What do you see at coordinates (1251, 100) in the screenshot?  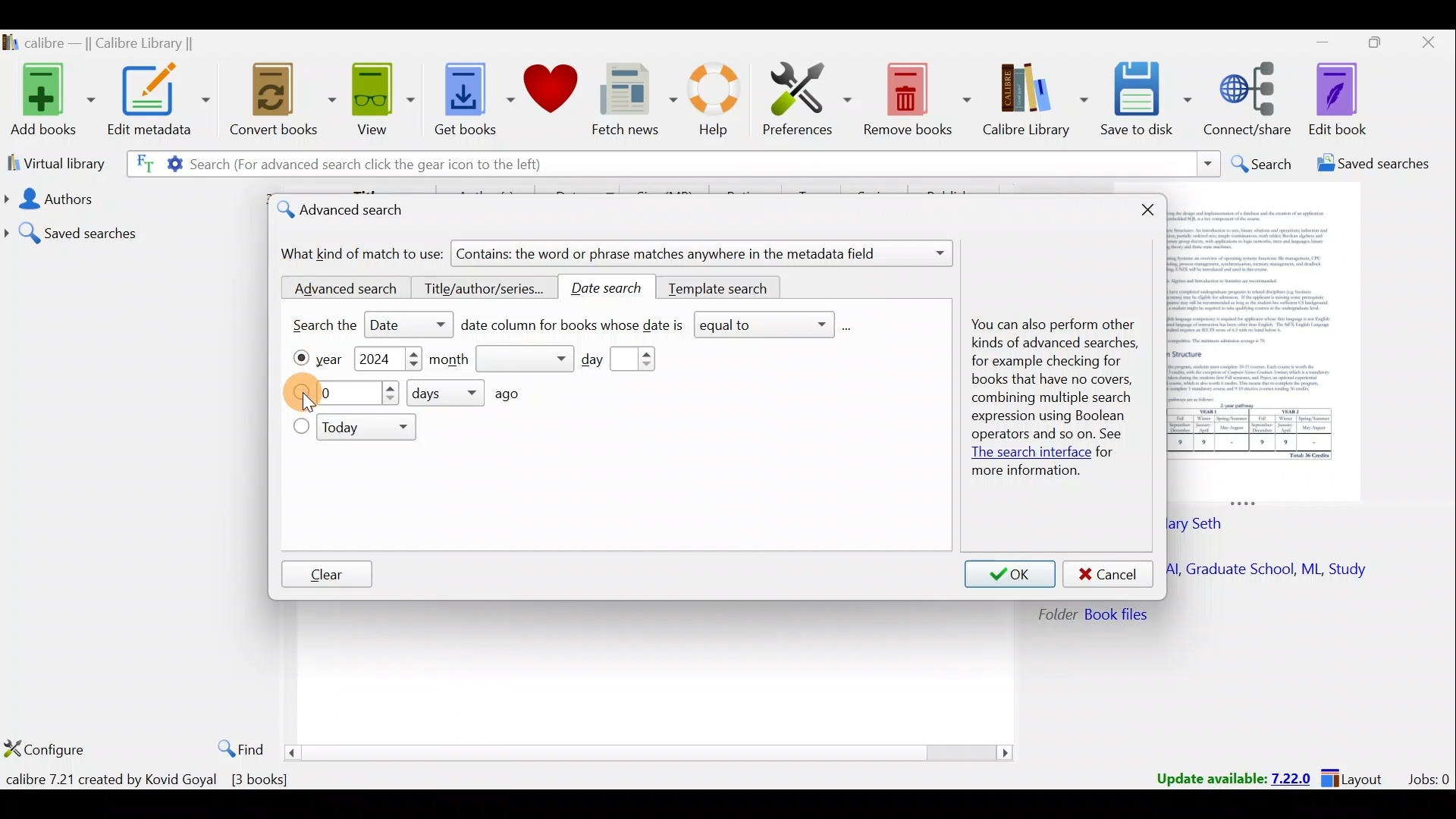 I see `Connect/share` at bounding box center [1251, 100].